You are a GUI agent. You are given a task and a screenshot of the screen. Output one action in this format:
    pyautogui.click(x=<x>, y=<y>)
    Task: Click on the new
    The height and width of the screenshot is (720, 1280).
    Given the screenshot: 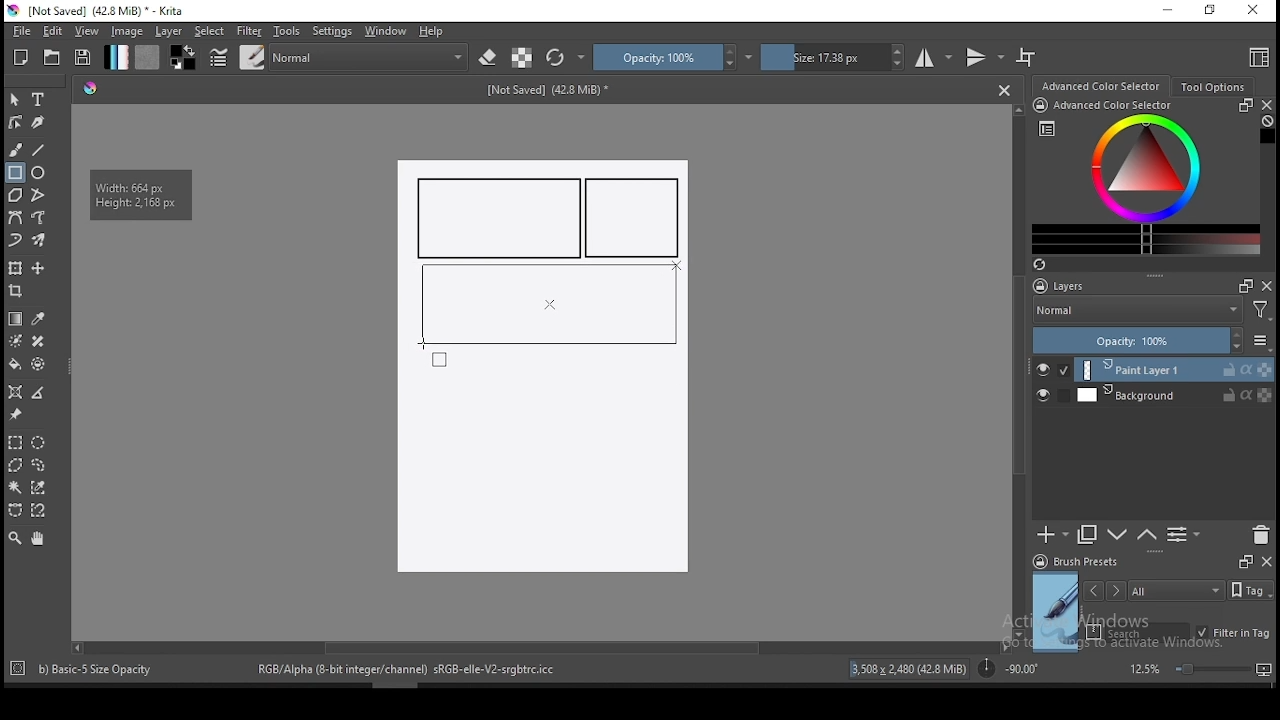 What is the action you would take?
    pyautogui.click(x=21, y=57)
    